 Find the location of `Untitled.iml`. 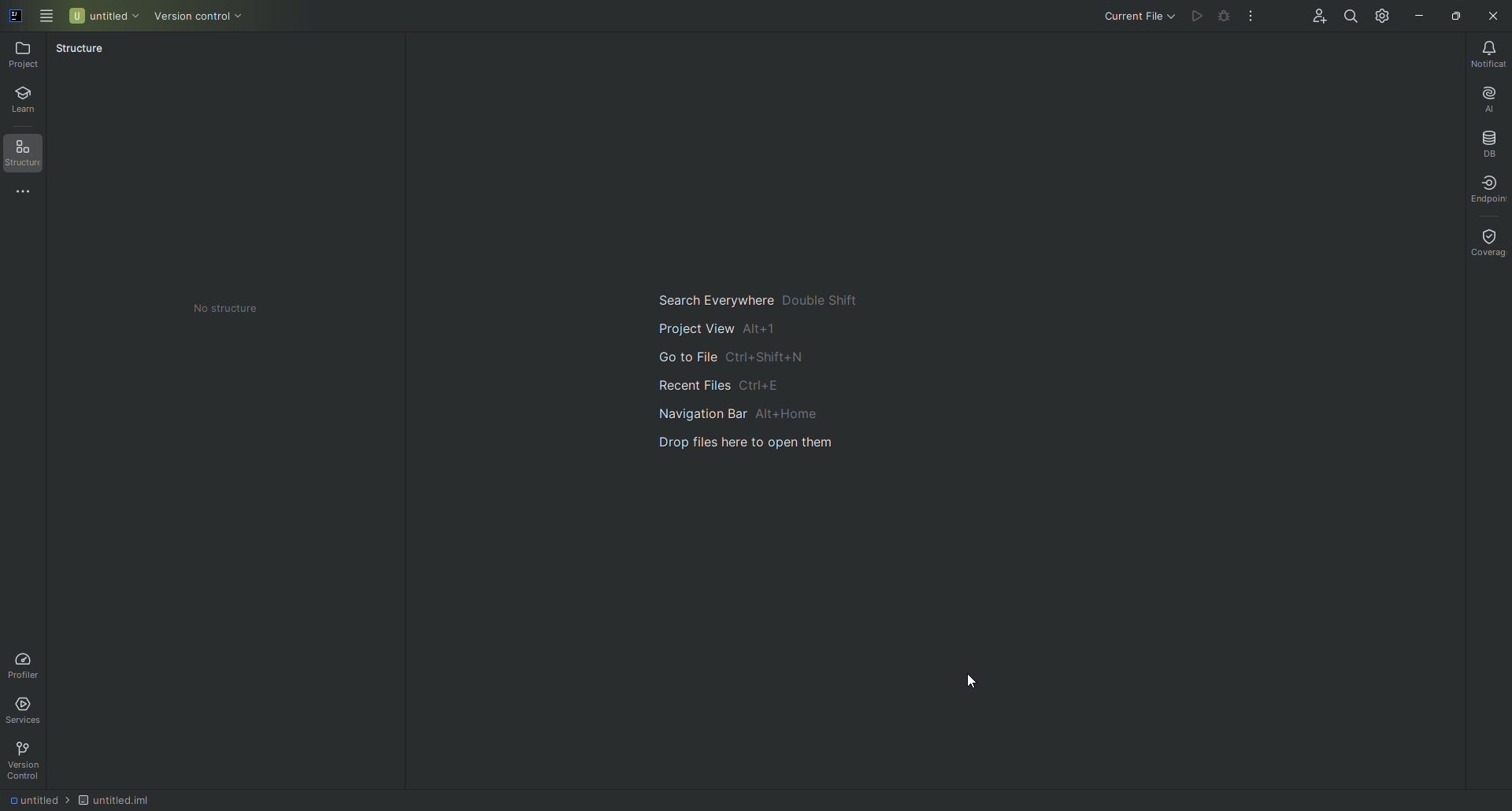

Untitled.iml is located at coordinates (113, 797).